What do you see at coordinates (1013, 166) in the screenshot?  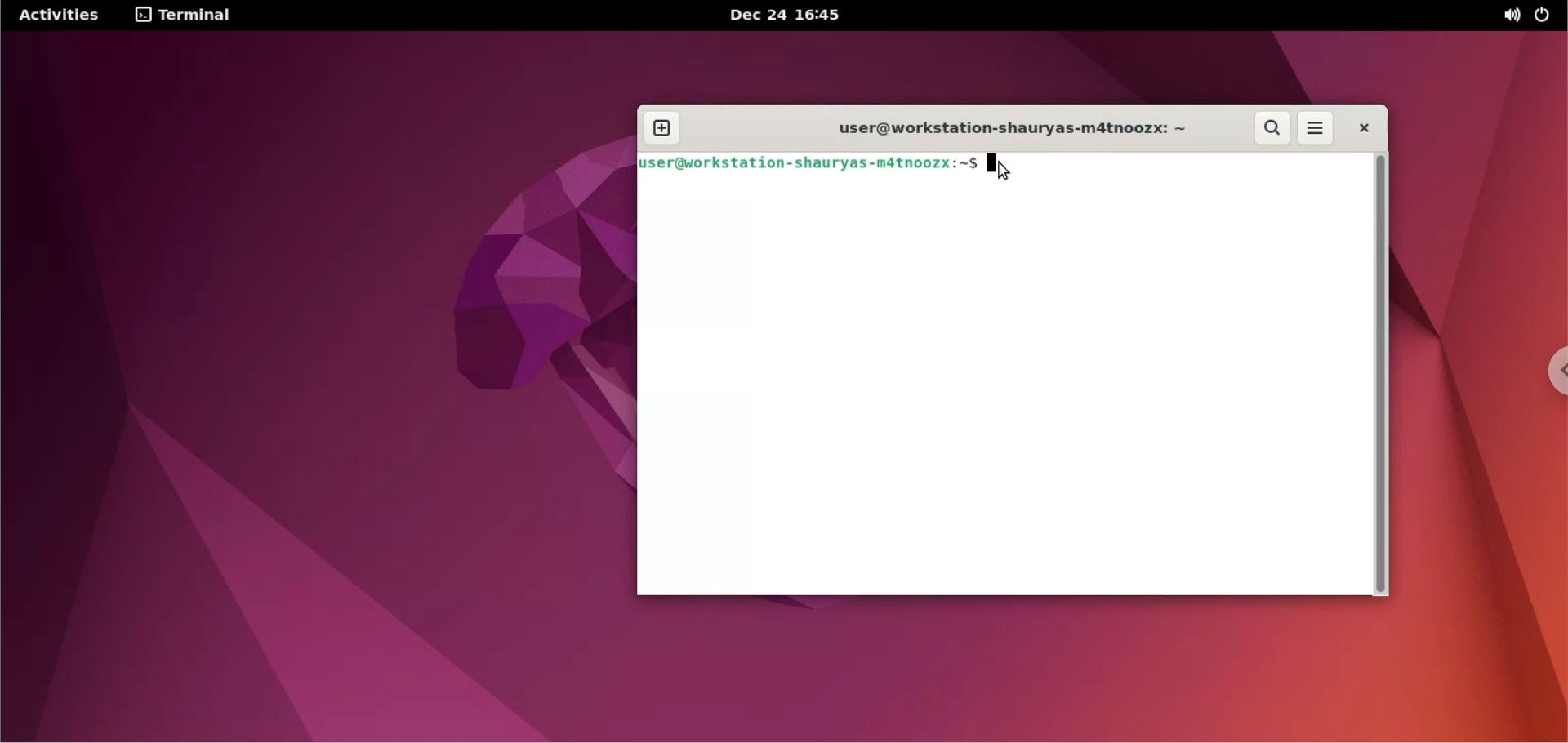 I see `cursor ` at bounding box center [1013, 166].